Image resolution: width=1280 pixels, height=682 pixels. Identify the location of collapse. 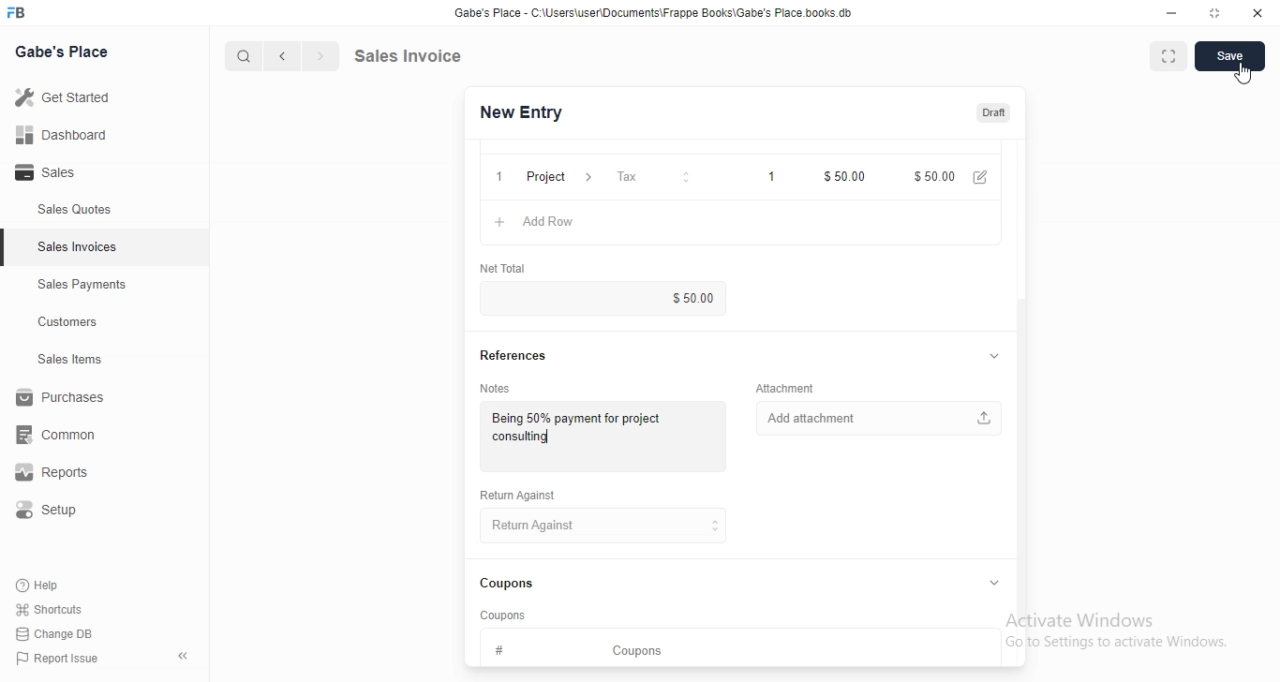
(185, 656).